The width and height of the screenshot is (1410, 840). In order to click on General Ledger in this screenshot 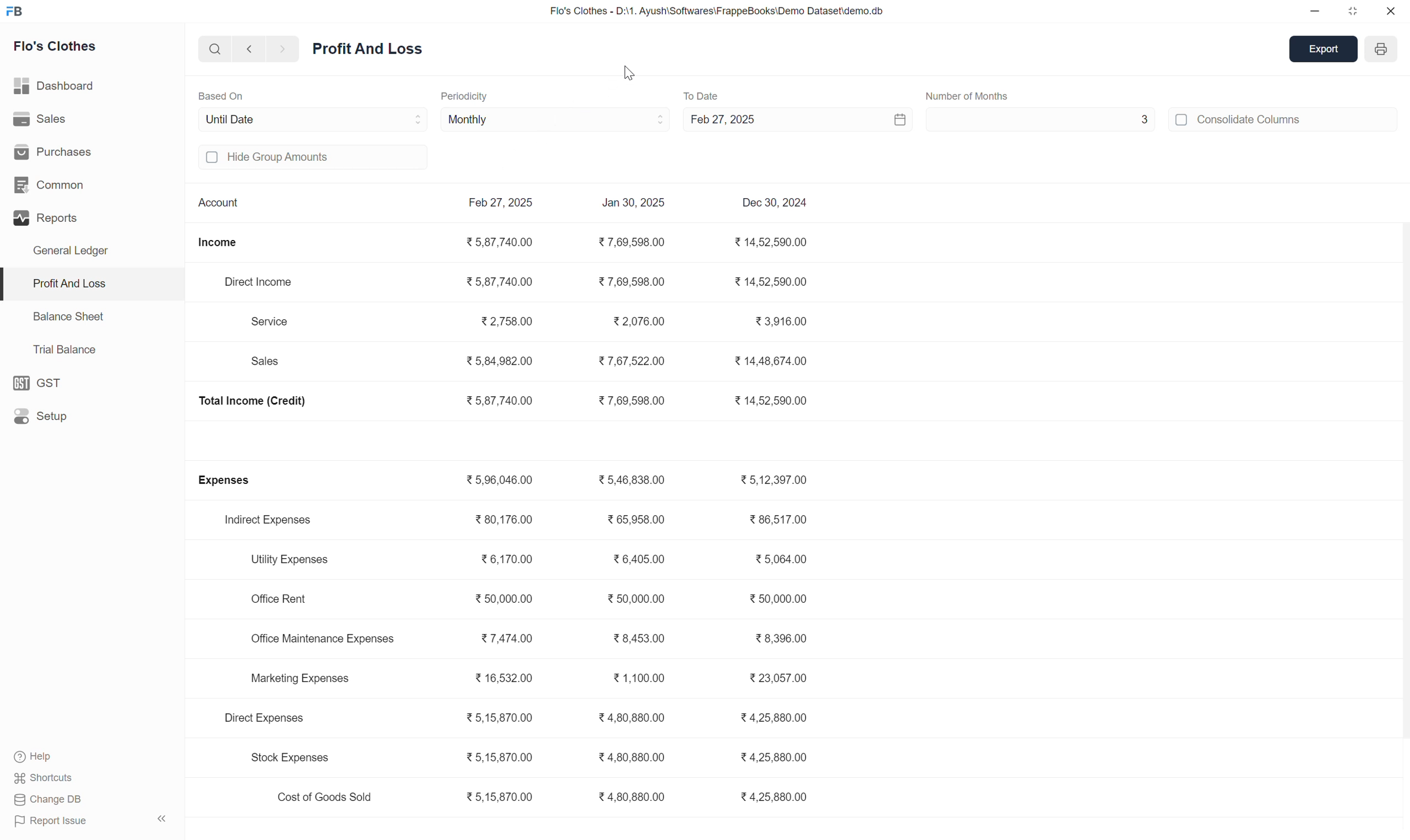, I will do `click(73, 252)`.